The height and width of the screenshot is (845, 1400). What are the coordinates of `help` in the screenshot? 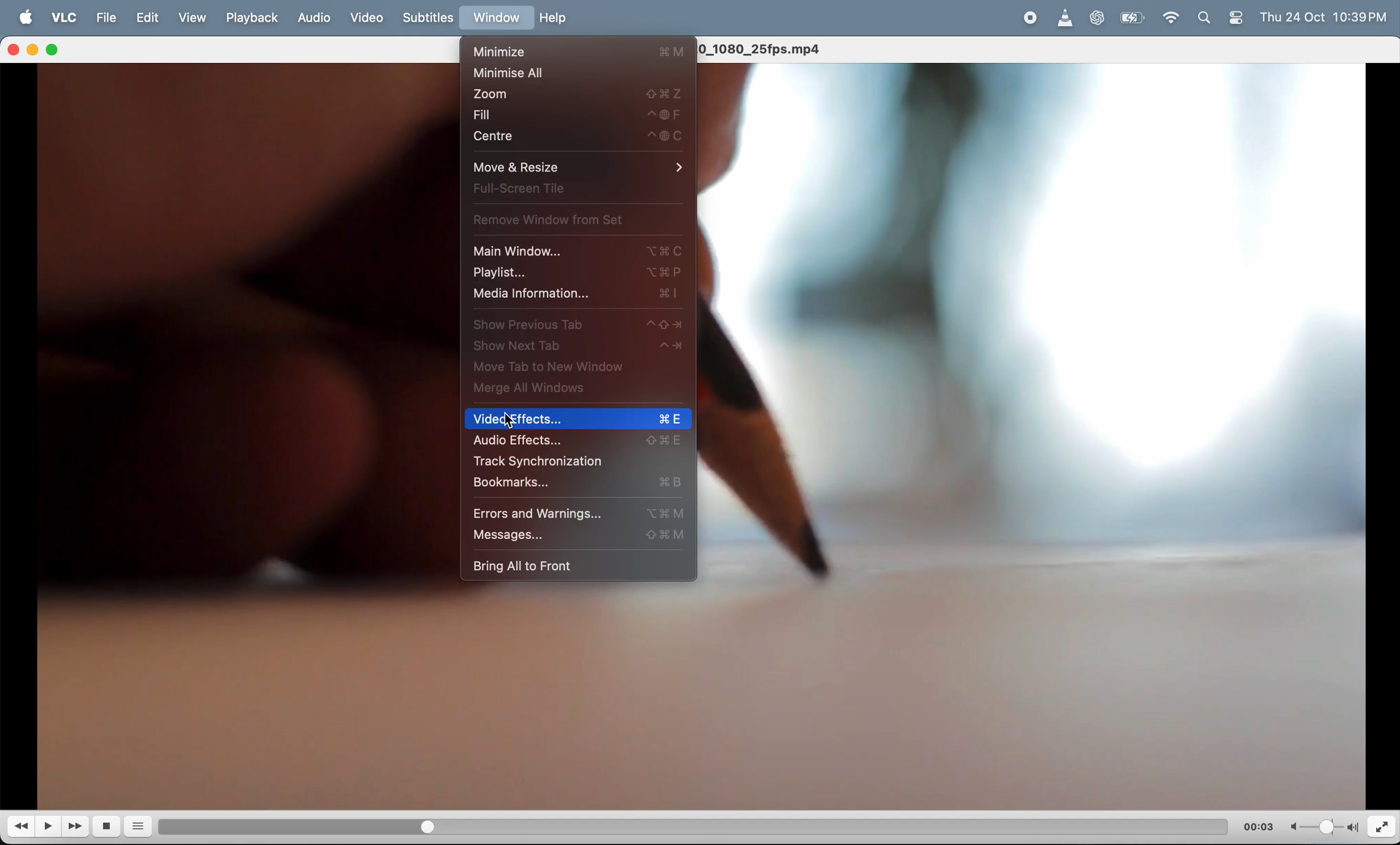 It's located at (556, 19).